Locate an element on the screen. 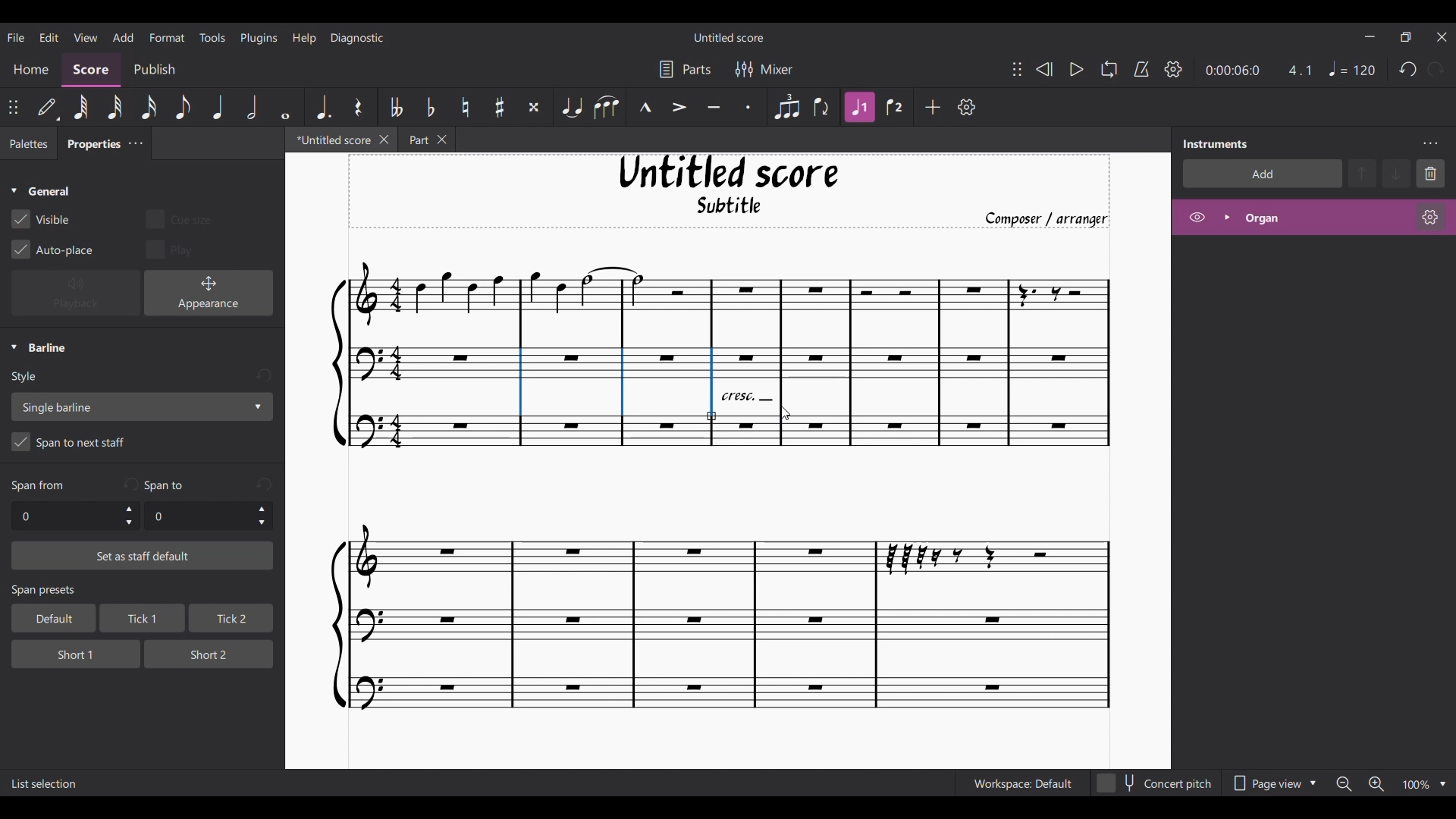 This screenshot has height=819, width=1456. single barline is located at coordinates (141, 406).